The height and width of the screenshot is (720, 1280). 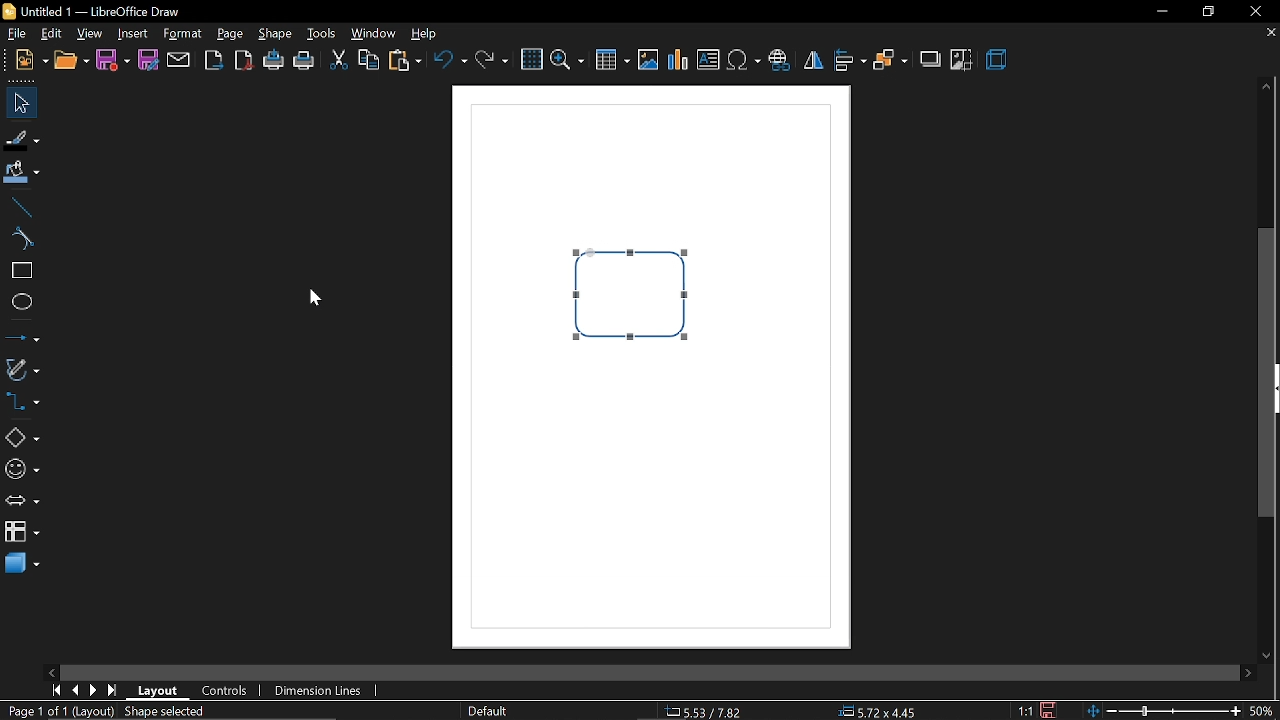 I want to click on export as pdf, so click(x=245, y=63).